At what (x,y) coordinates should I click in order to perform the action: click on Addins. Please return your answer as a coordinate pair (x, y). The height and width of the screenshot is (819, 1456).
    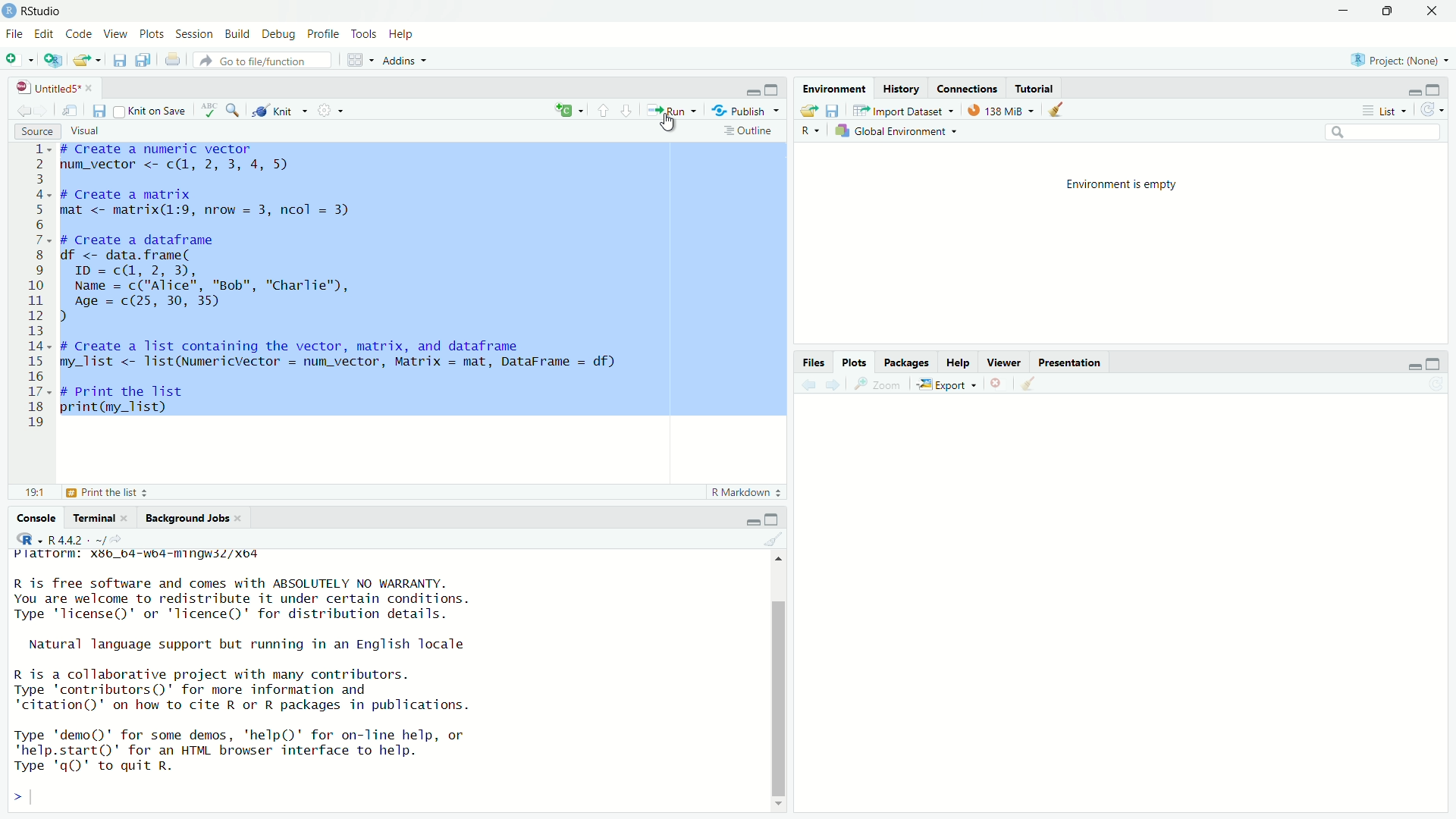
    Looking at the image, I should click on (405, 61).